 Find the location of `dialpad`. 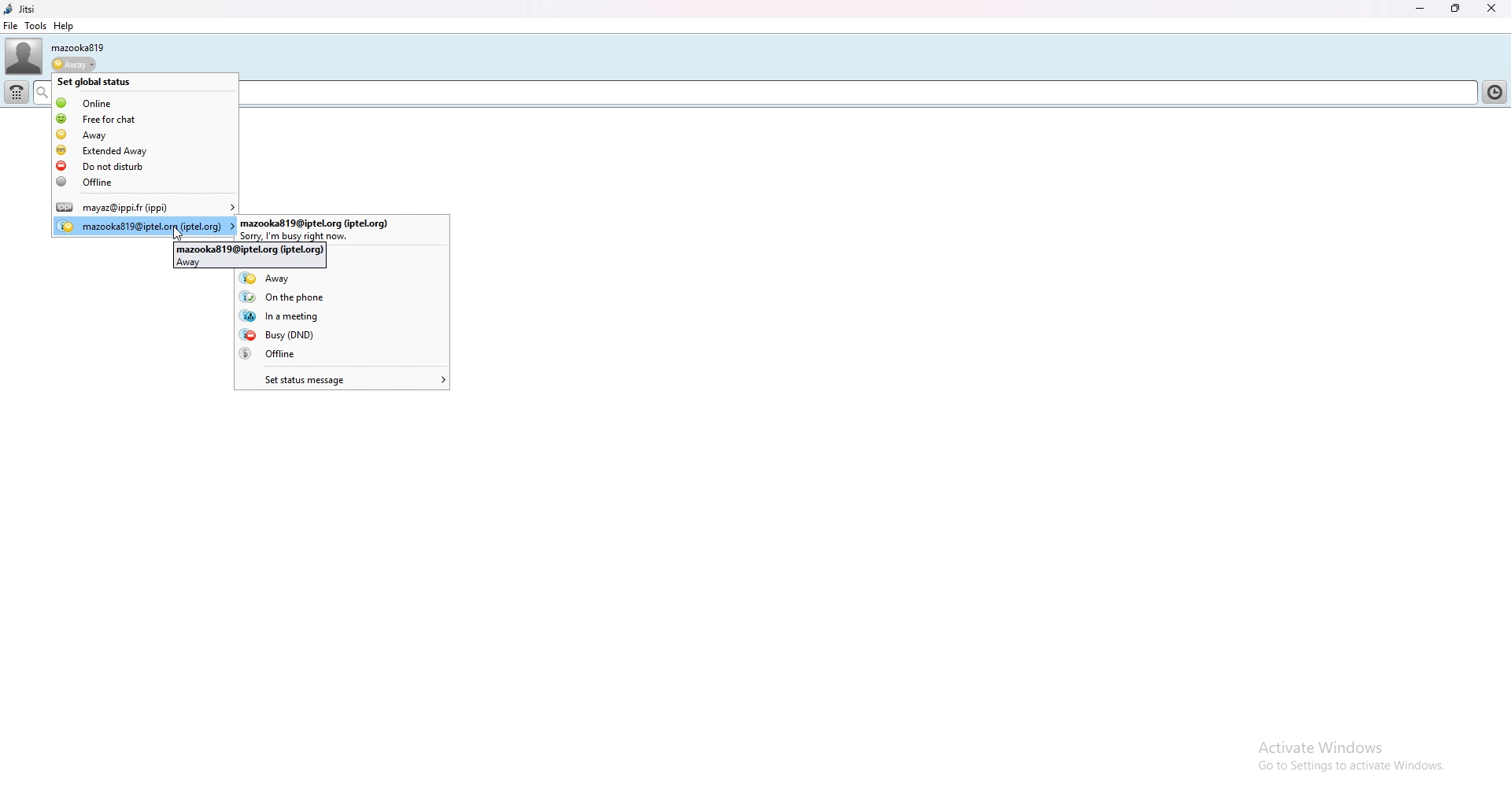

dialpad is located at coordinates (17, 93).